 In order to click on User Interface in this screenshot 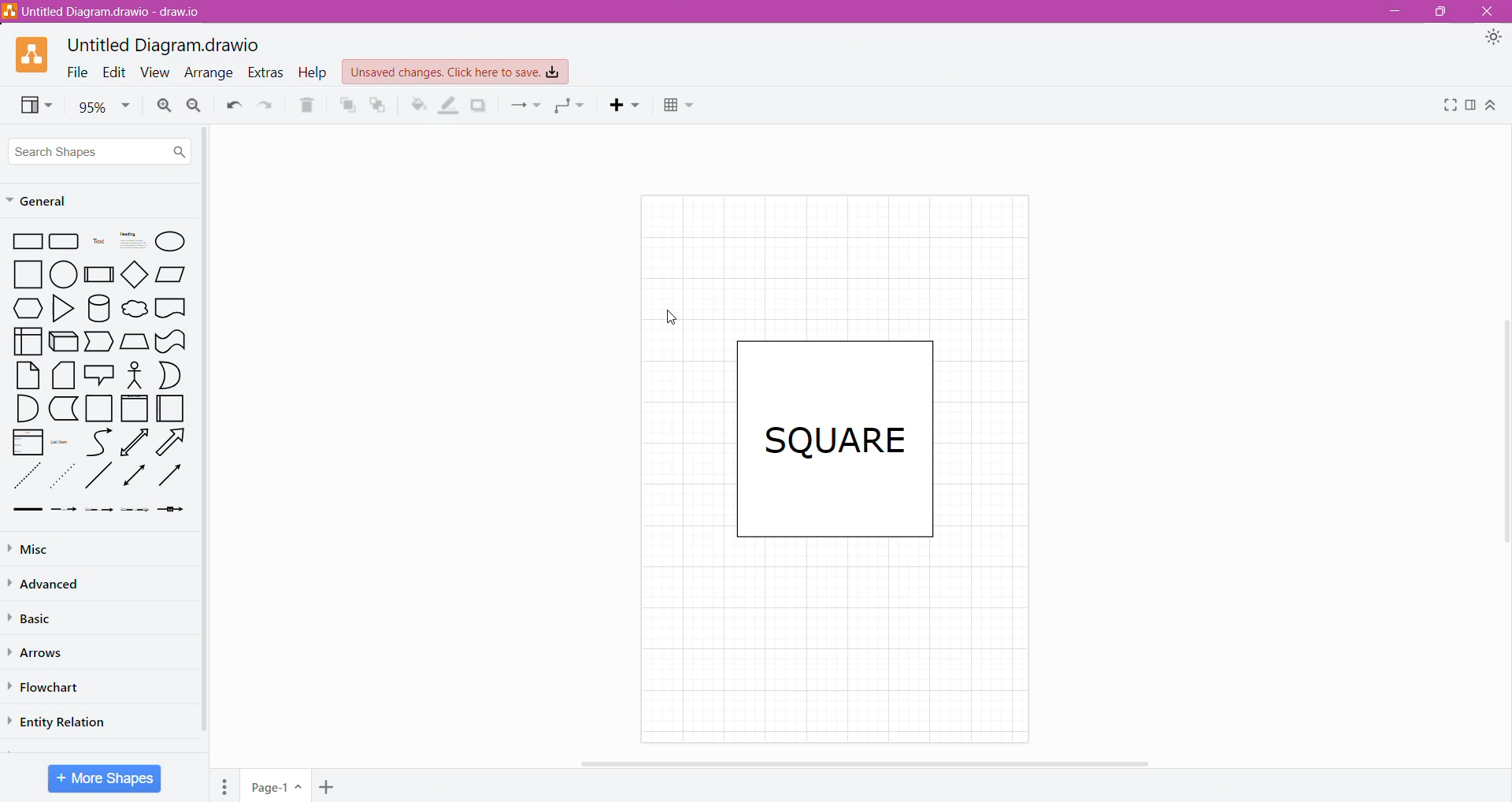, I will do `click(27, 340)`.